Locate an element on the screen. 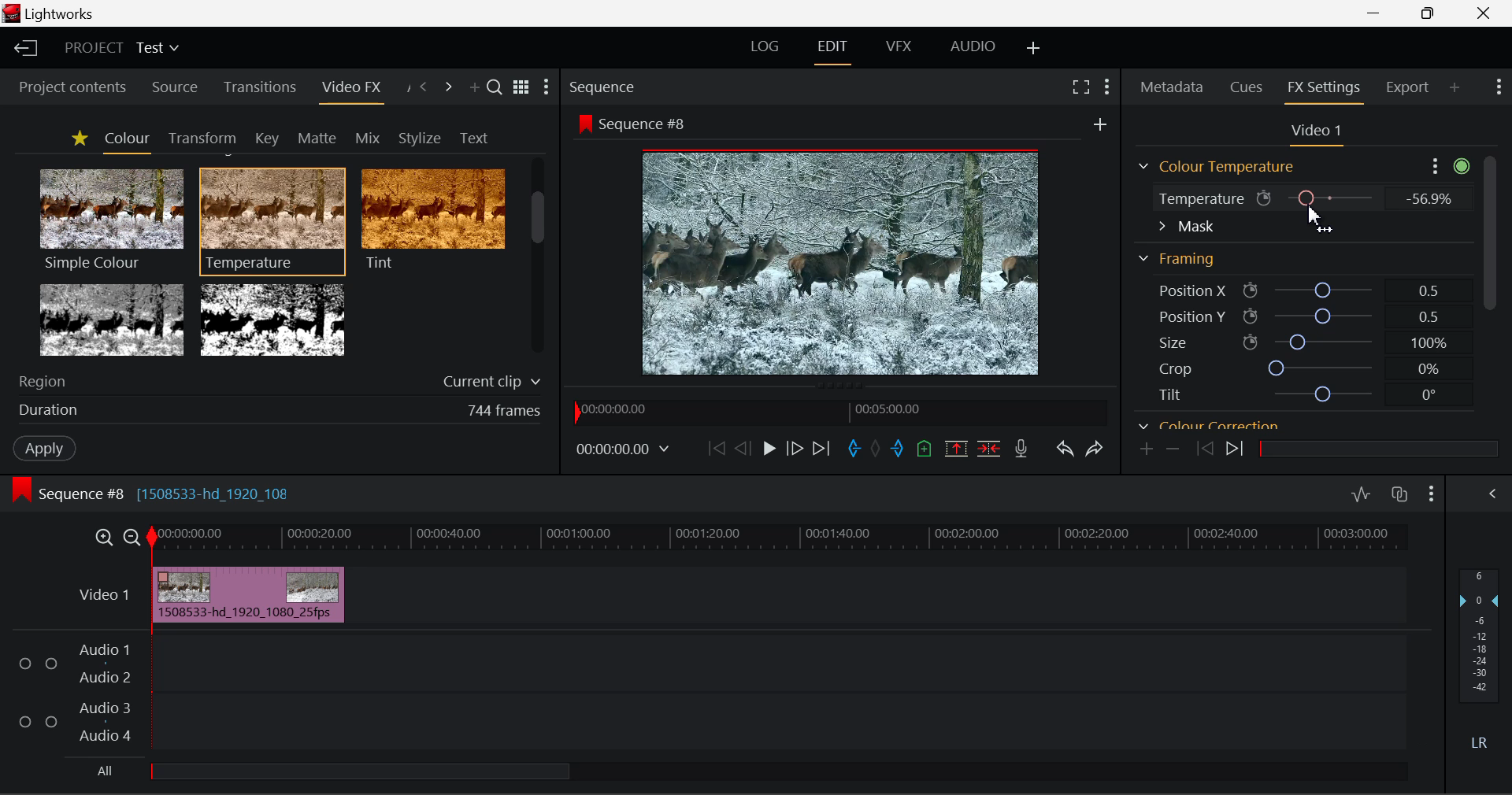 The height and width of the screenshot is (795, 1512). Close is located at coordinates (1484, 12).